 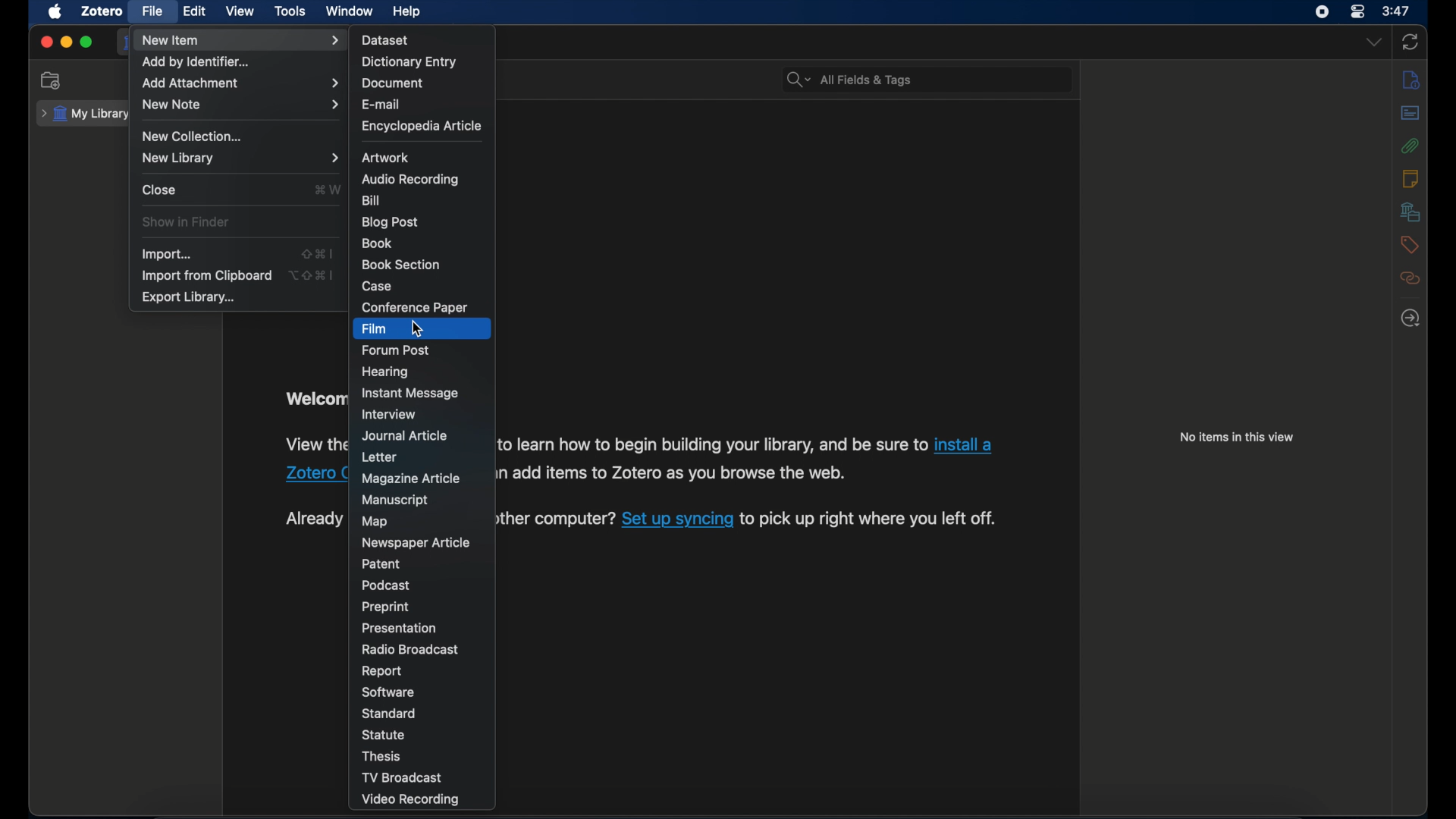 What do you see at coordinates (967, 447) in the screenshot?
I see `hyperlink` at bounding box center [967, 447].